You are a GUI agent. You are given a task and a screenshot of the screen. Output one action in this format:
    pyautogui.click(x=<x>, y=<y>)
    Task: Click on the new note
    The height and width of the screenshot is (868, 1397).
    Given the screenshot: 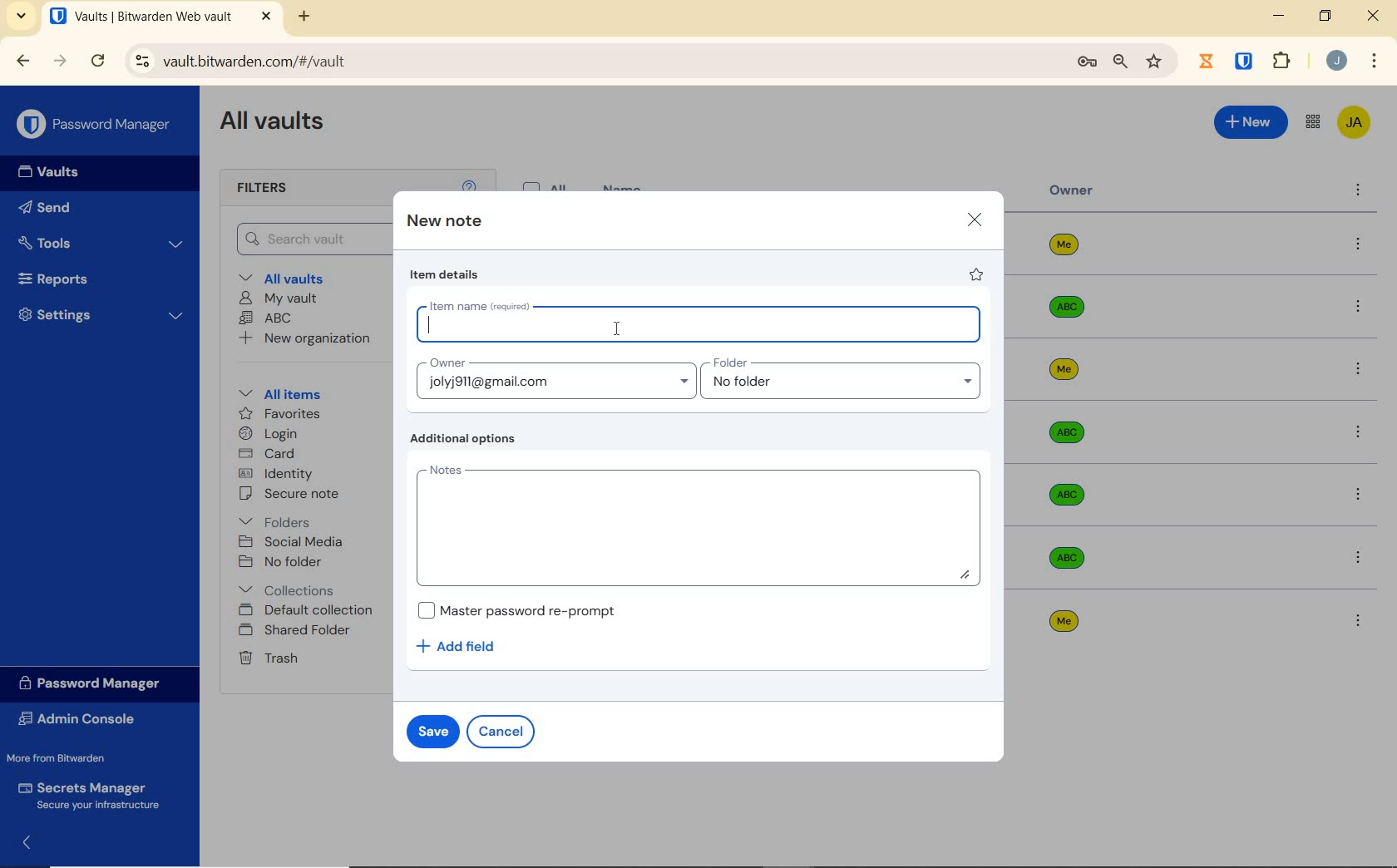 What is the action you would take?
    pyautogui.click(x=444, y=222)
    